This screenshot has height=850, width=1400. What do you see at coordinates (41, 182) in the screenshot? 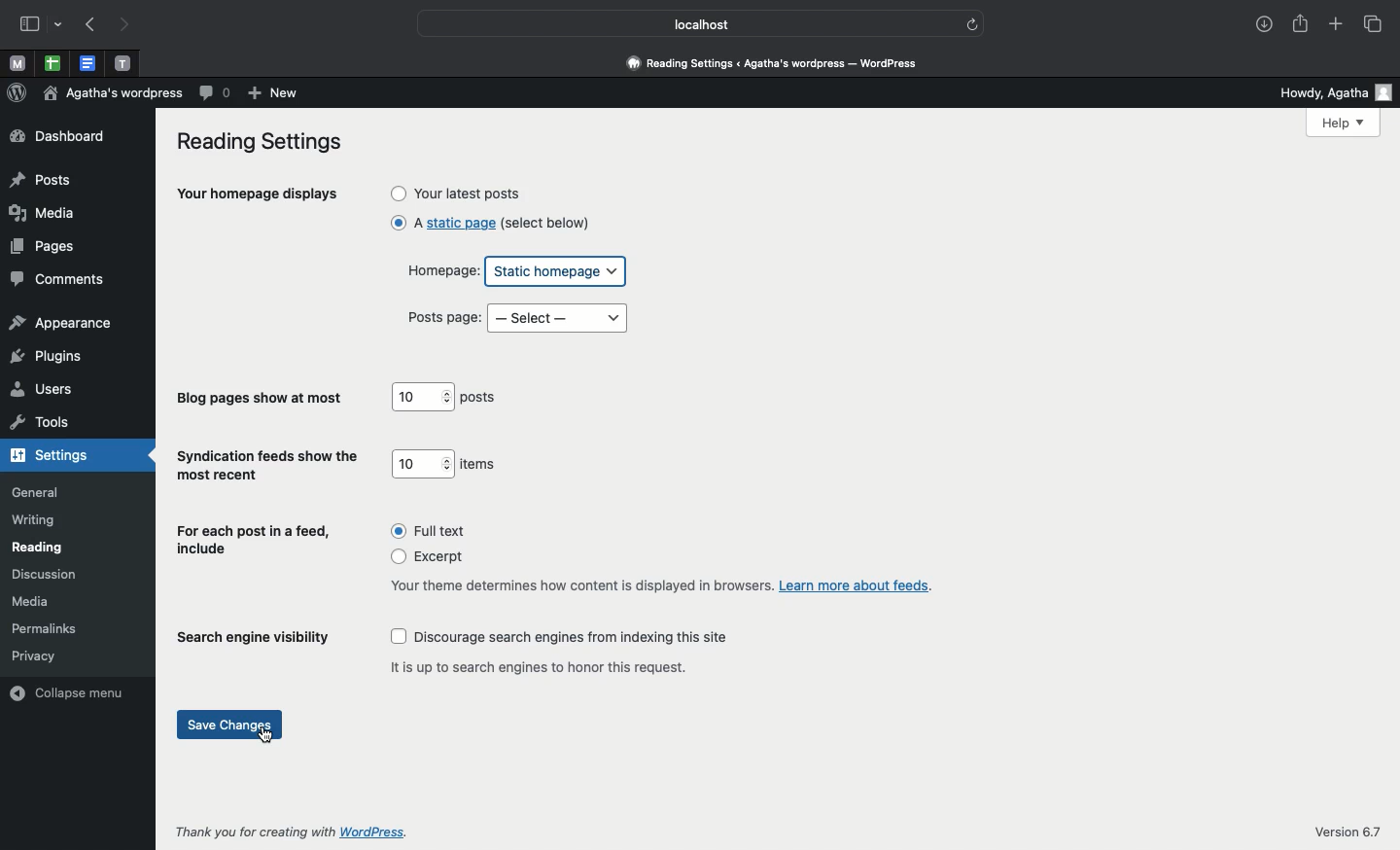
I see `posts` at bounding box center [41, 182].